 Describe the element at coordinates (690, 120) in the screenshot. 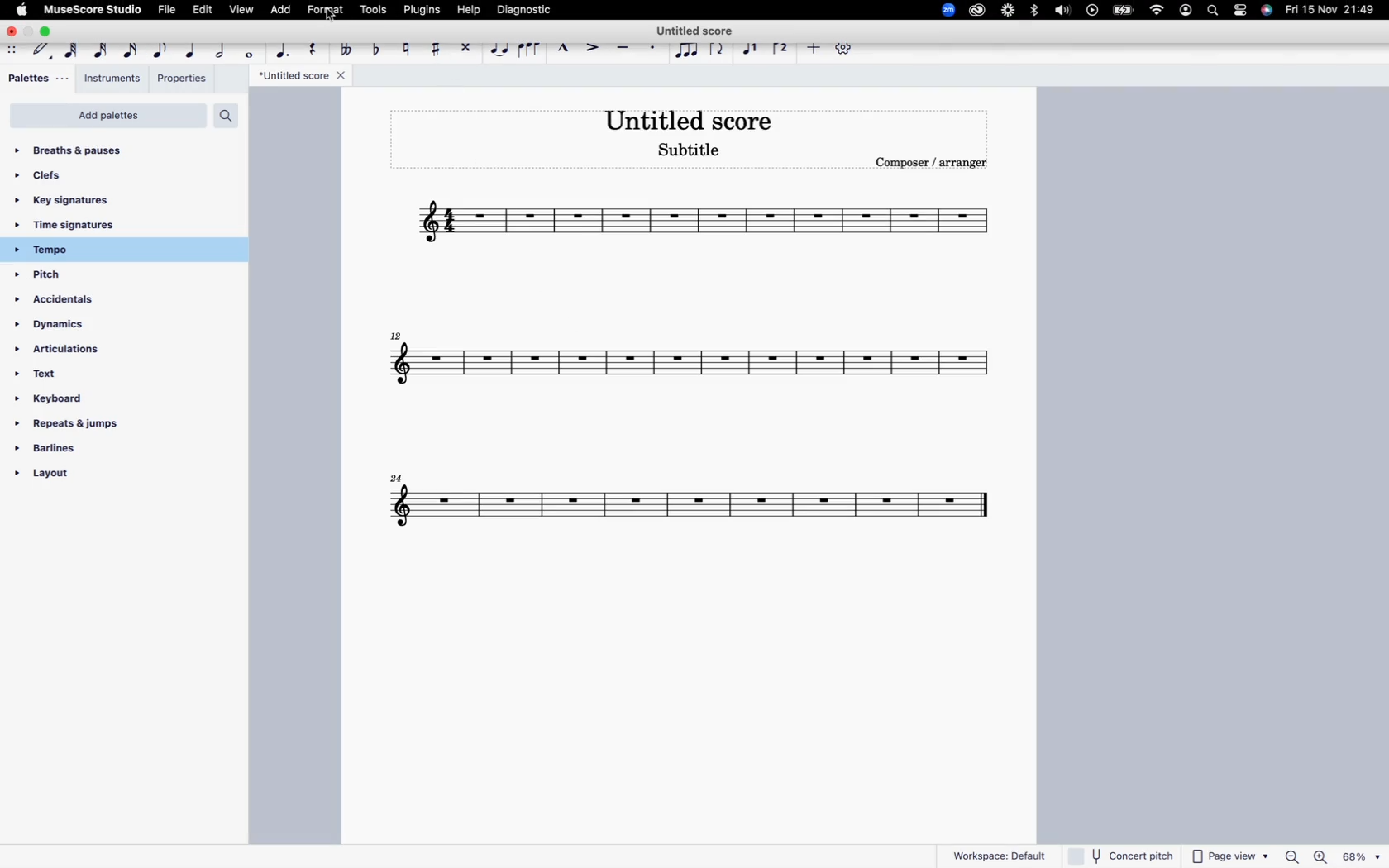

I see `score title` at that location.